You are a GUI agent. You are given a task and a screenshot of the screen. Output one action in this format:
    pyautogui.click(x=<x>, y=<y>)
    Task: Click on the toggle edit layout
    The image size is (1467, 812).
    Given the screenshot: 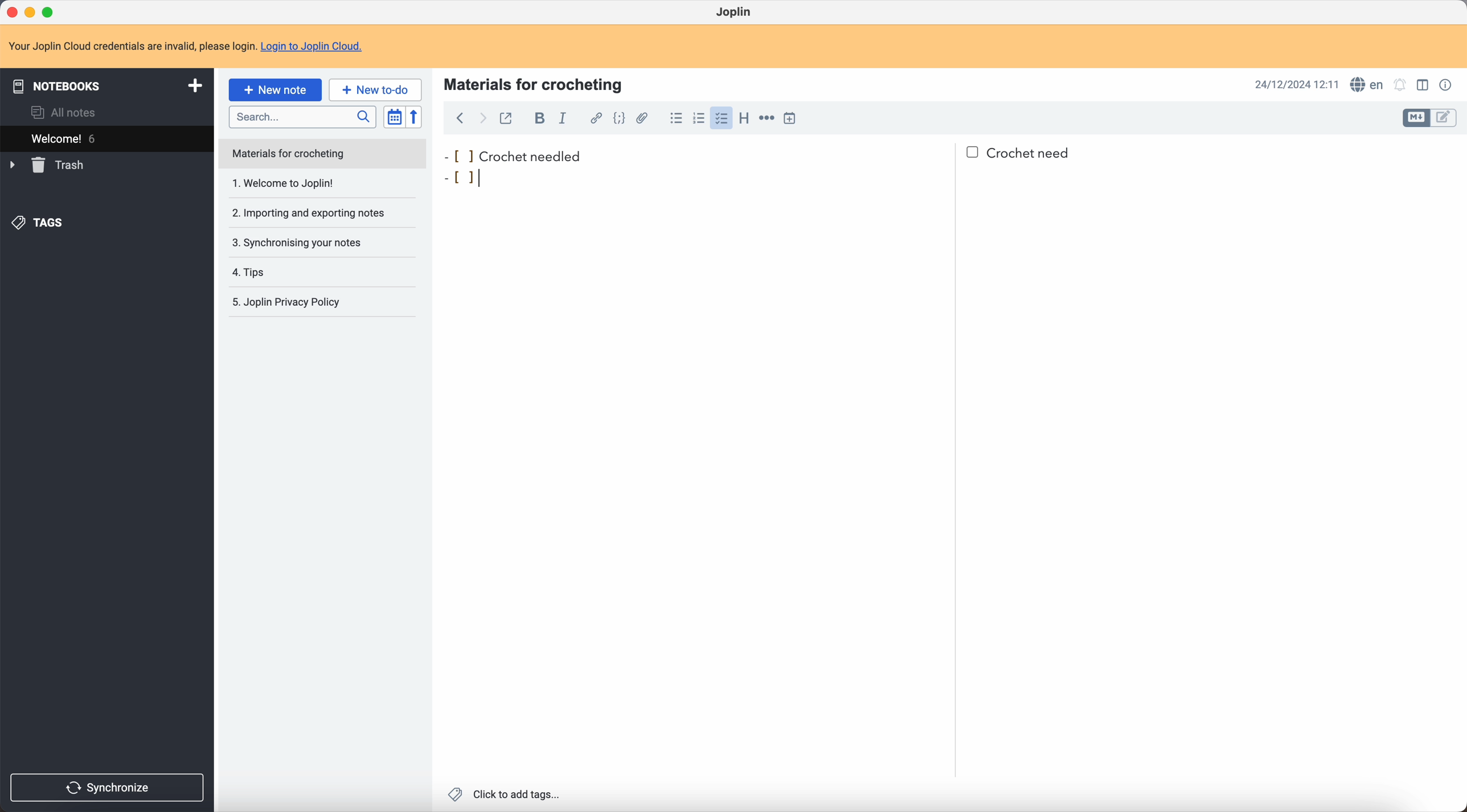 What is the action you would take?
    pyautogui.click(x=1424, y=84)
    